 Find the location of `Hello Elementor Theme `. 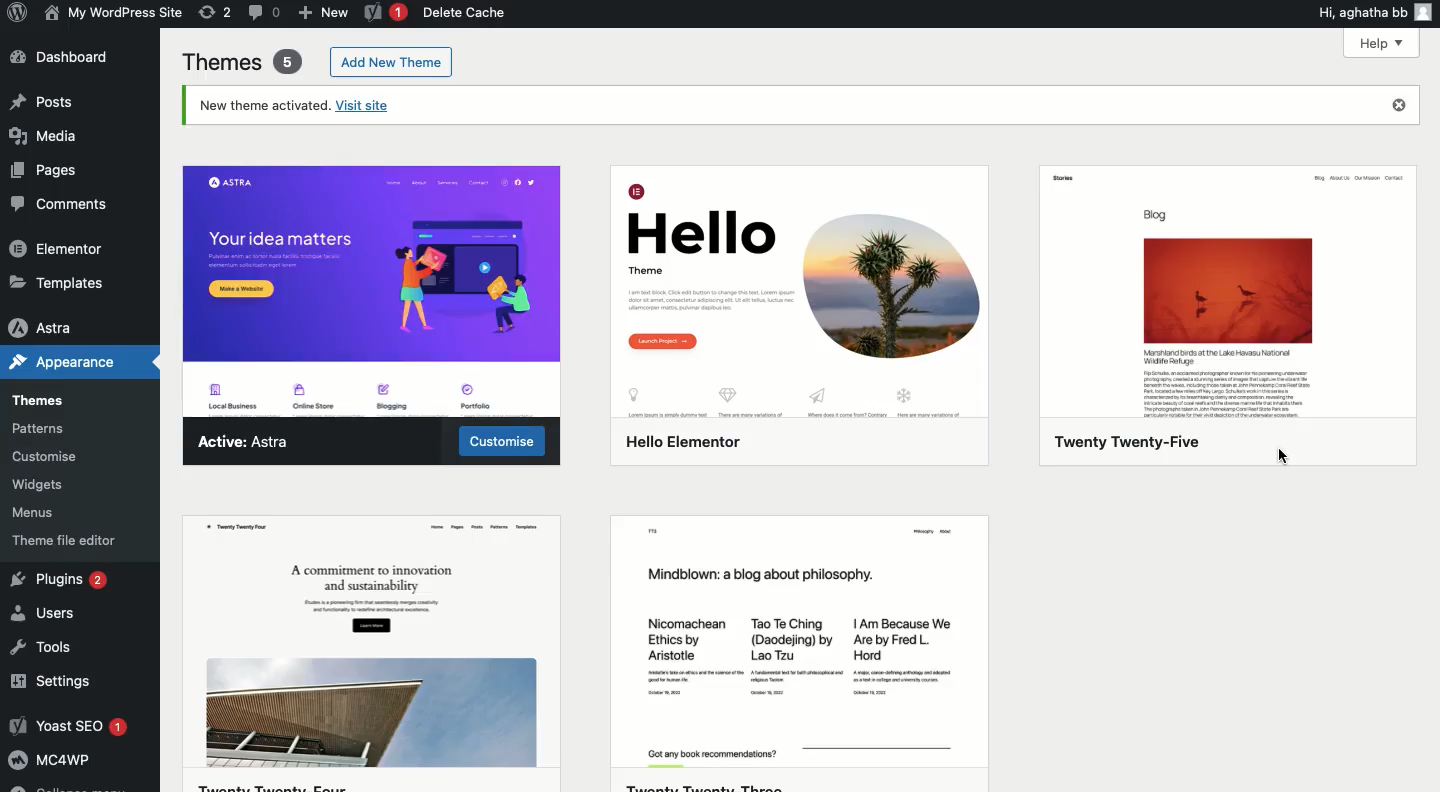

Hello Elementor Theme  is located at coordinates (803, 319).